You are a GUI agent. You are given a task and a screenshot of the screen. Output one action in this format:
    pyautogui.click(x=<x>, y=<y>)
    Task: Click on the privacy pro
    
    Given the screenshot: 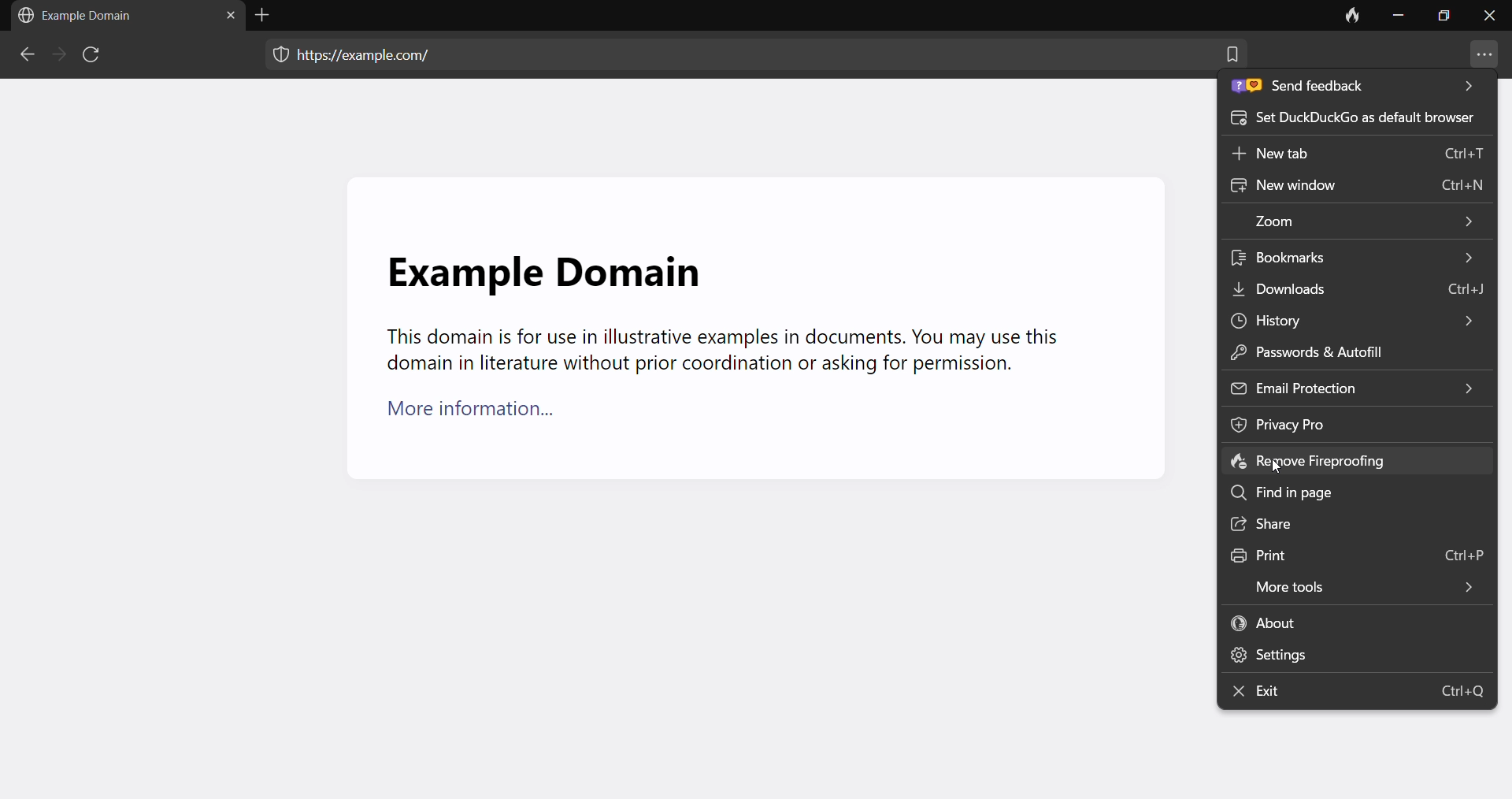 What is the action you would take?
    pyautogui.click(x=1319, y=424)
    